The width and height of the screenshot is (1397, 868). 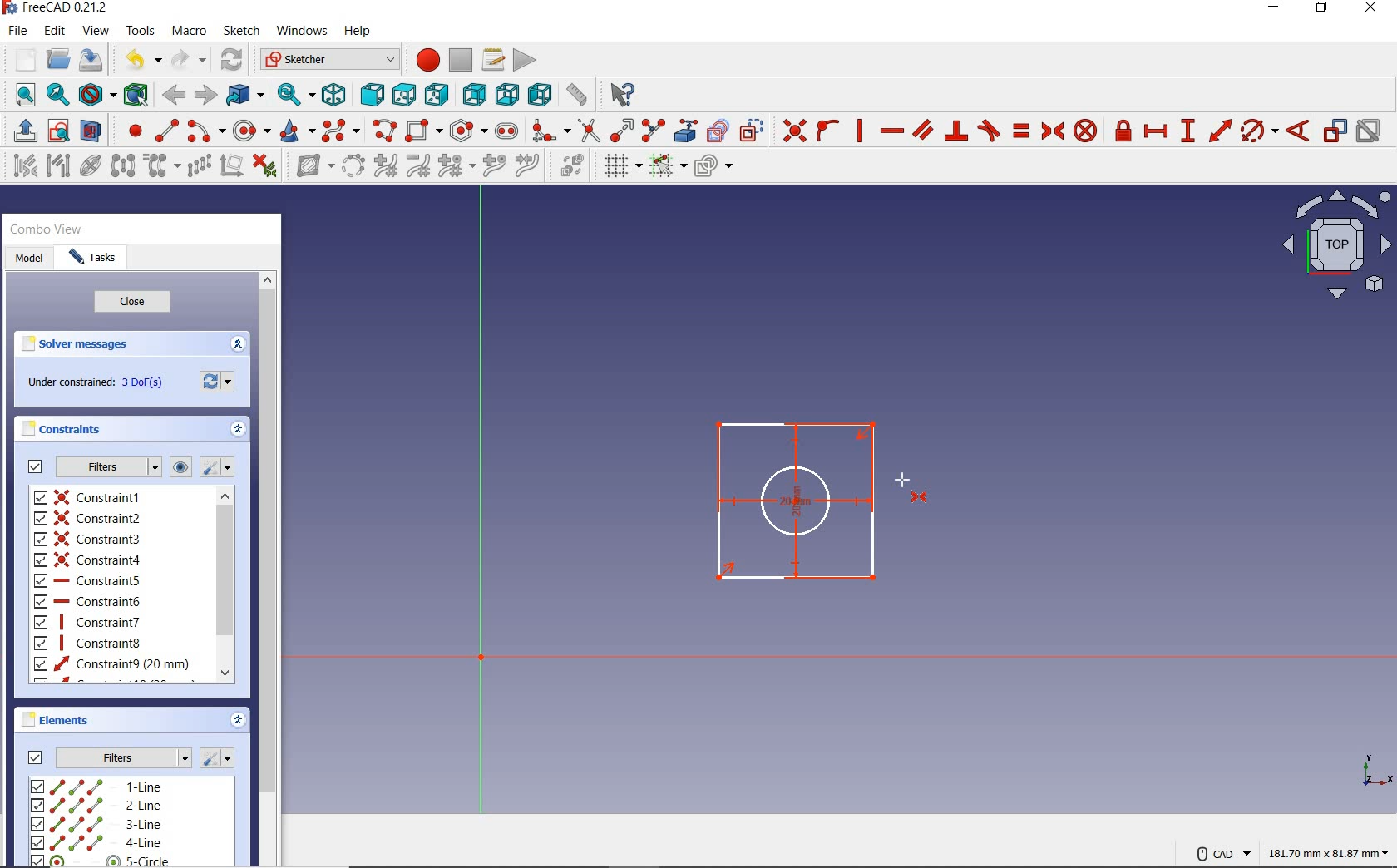 I want to click on top, so click(x=404, y=96).